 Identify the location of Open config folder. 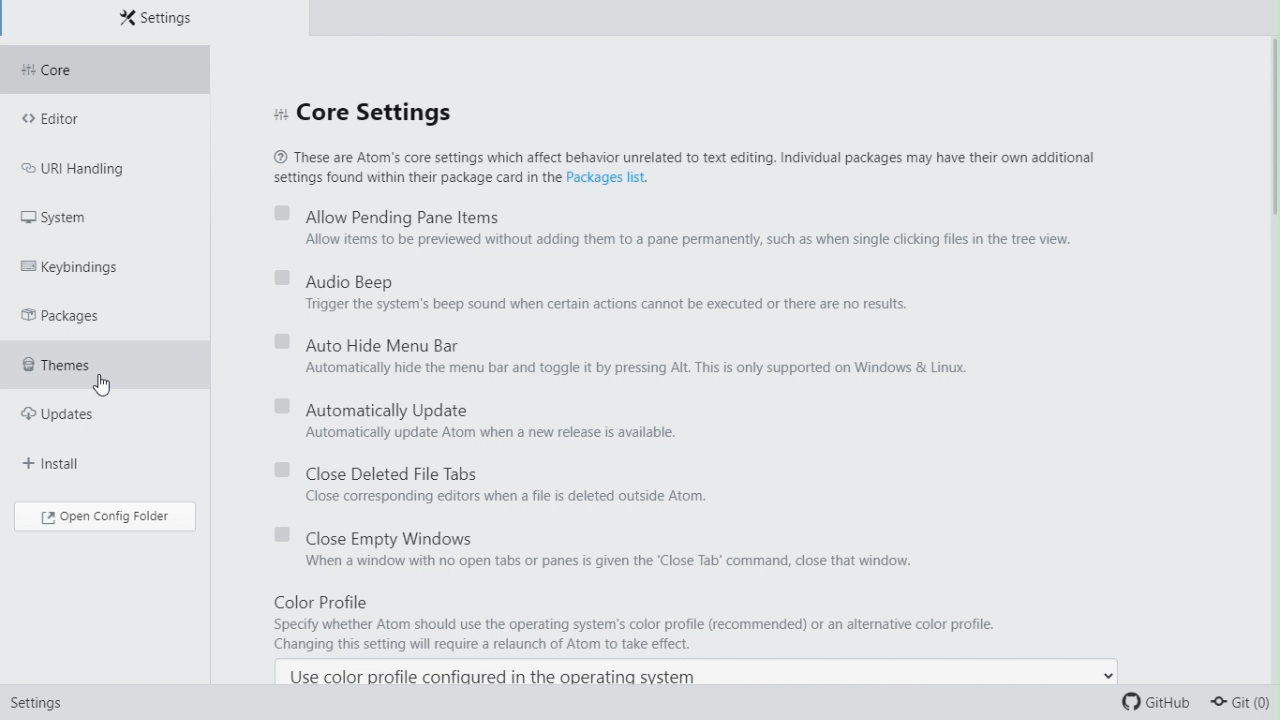
(103, 516).